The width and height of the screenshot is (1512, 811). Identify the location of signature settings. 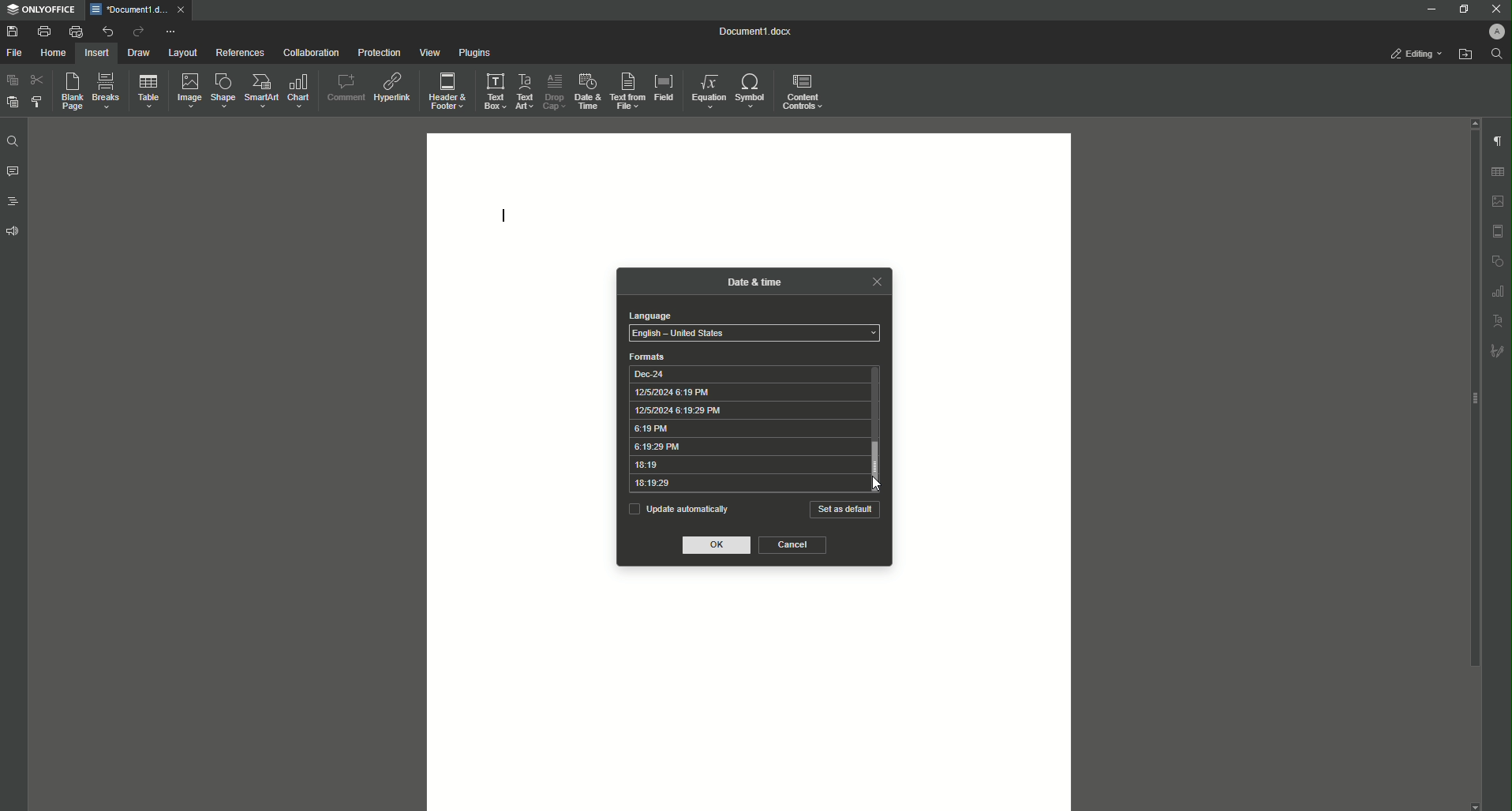
(1497, 349).